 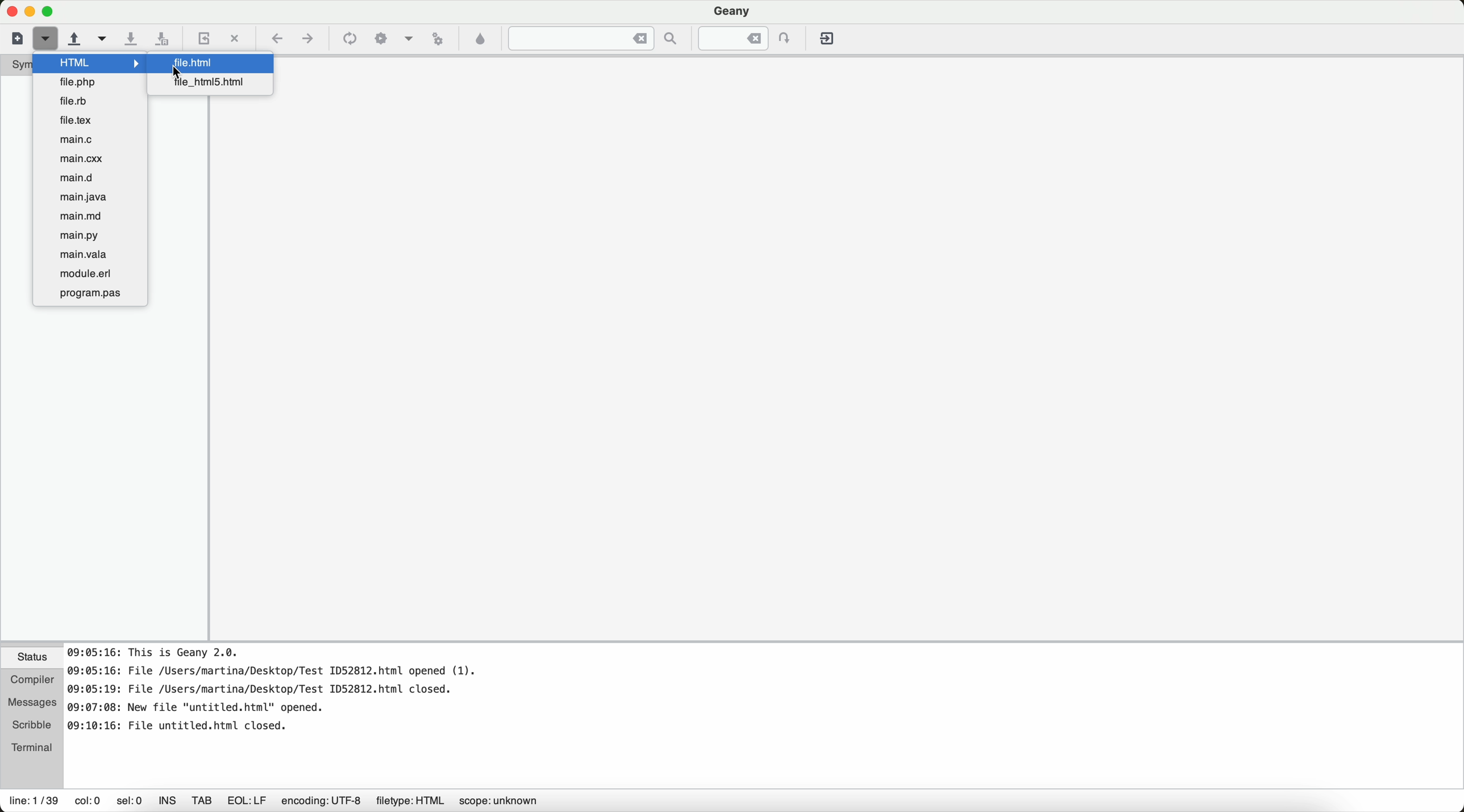 What do you see at coordinates (89, 254) in the screenshot?
I see `main.vala` at bounding box center [89, 254].